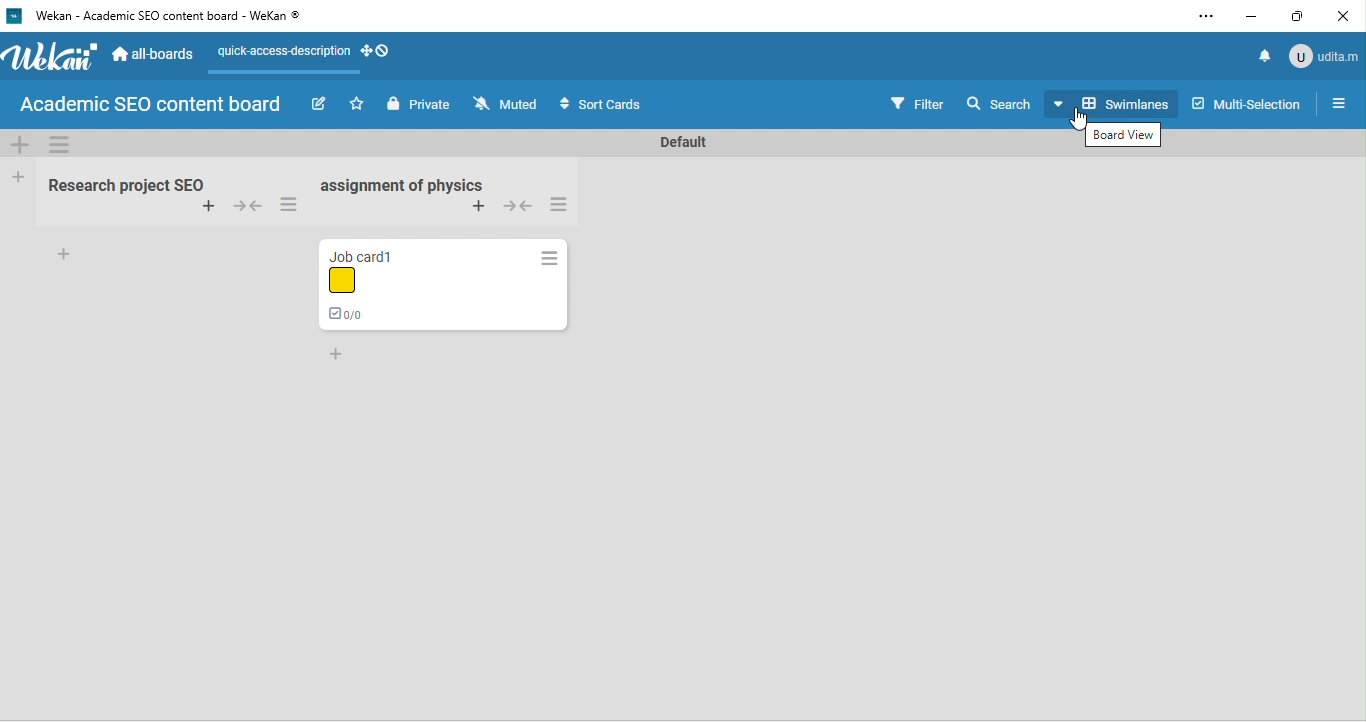  What do you see at coordinates (682, 141) in the screenshot?
I see `default` at bounding box center [682, 141].